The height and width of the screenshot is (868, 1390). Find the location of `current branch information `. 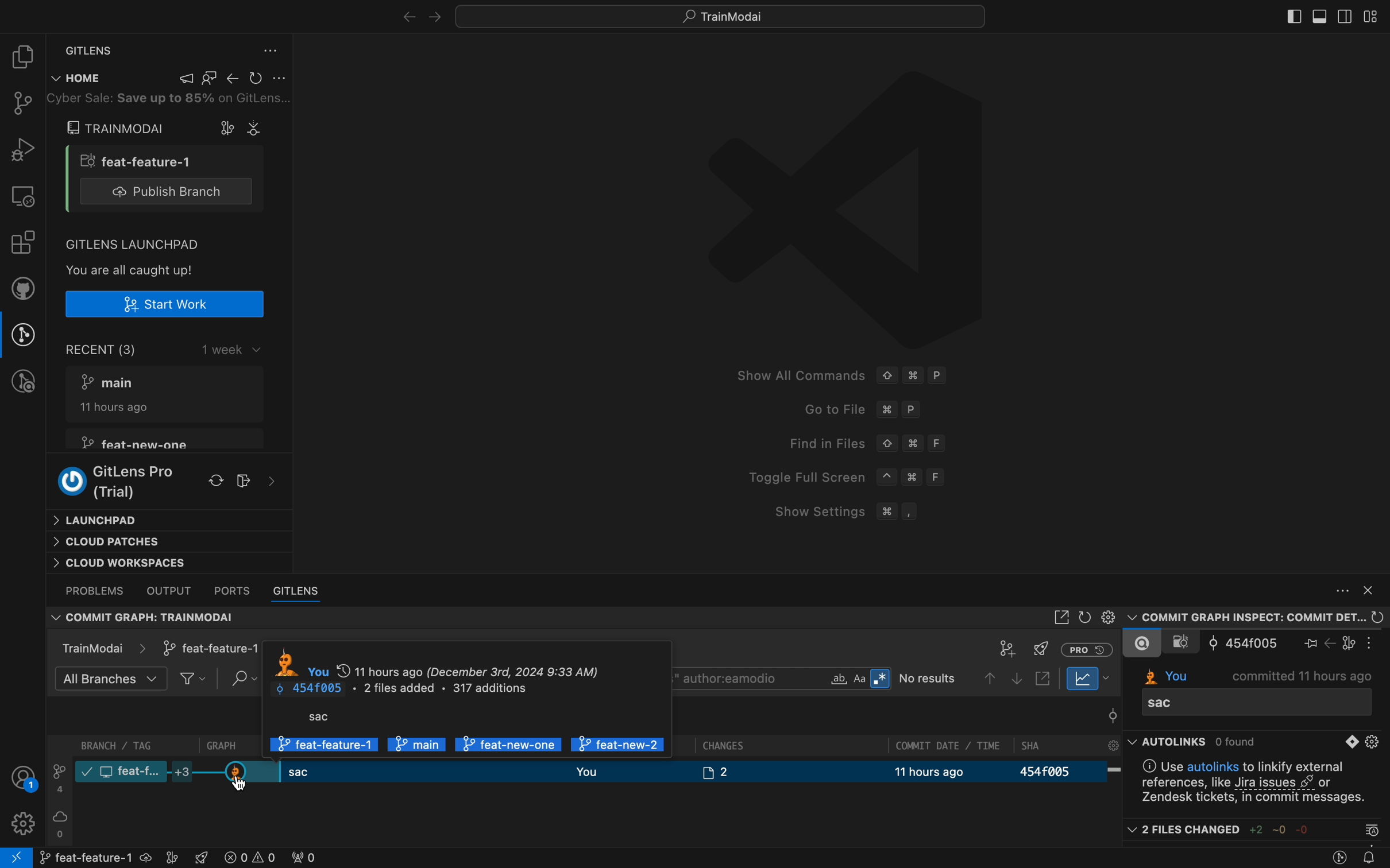

current branch information  is located at coordinates (1256, 727).